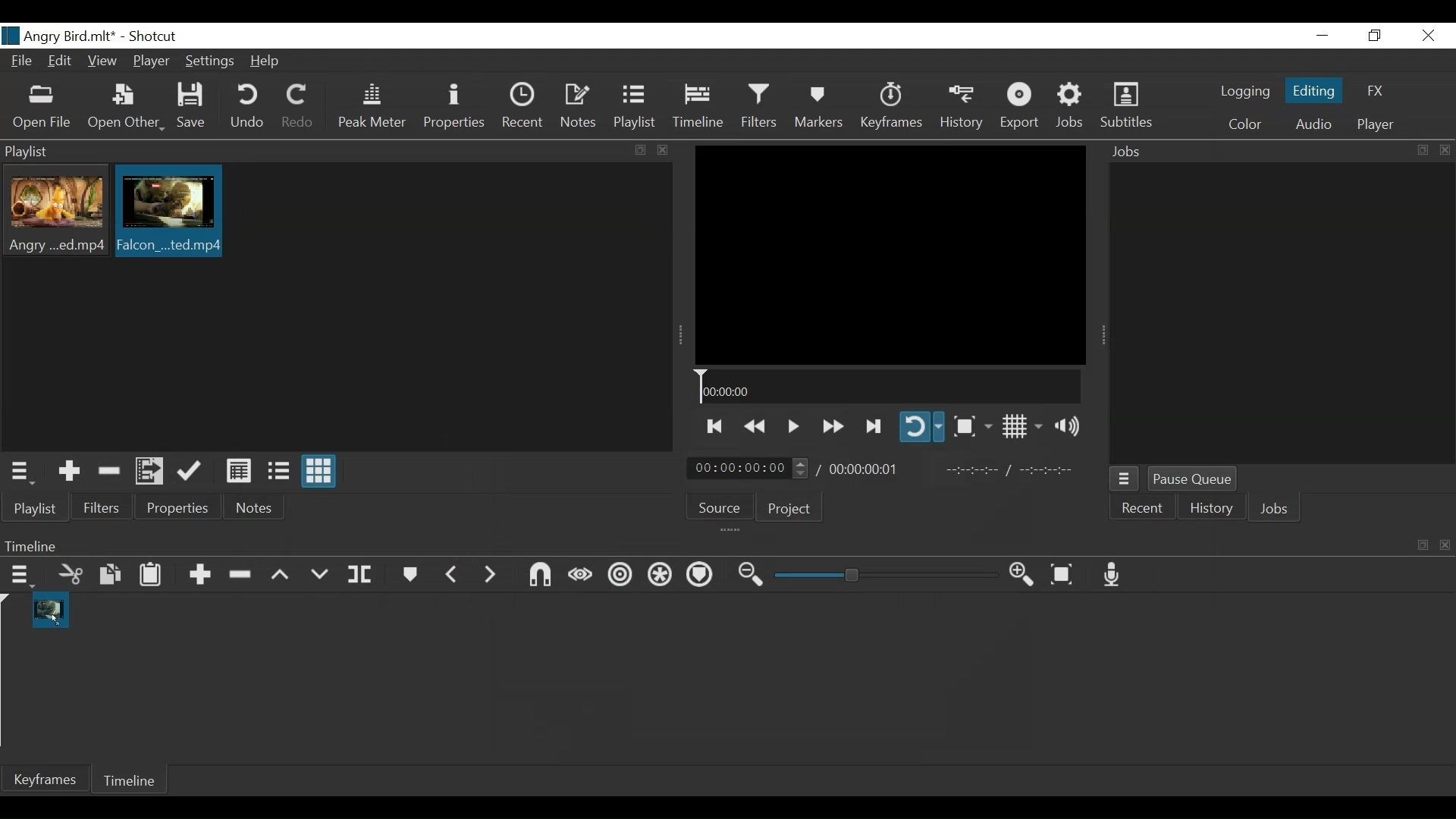 This screenshot has height=819, width=1456. I want to click on File Name, so click(24, 63).